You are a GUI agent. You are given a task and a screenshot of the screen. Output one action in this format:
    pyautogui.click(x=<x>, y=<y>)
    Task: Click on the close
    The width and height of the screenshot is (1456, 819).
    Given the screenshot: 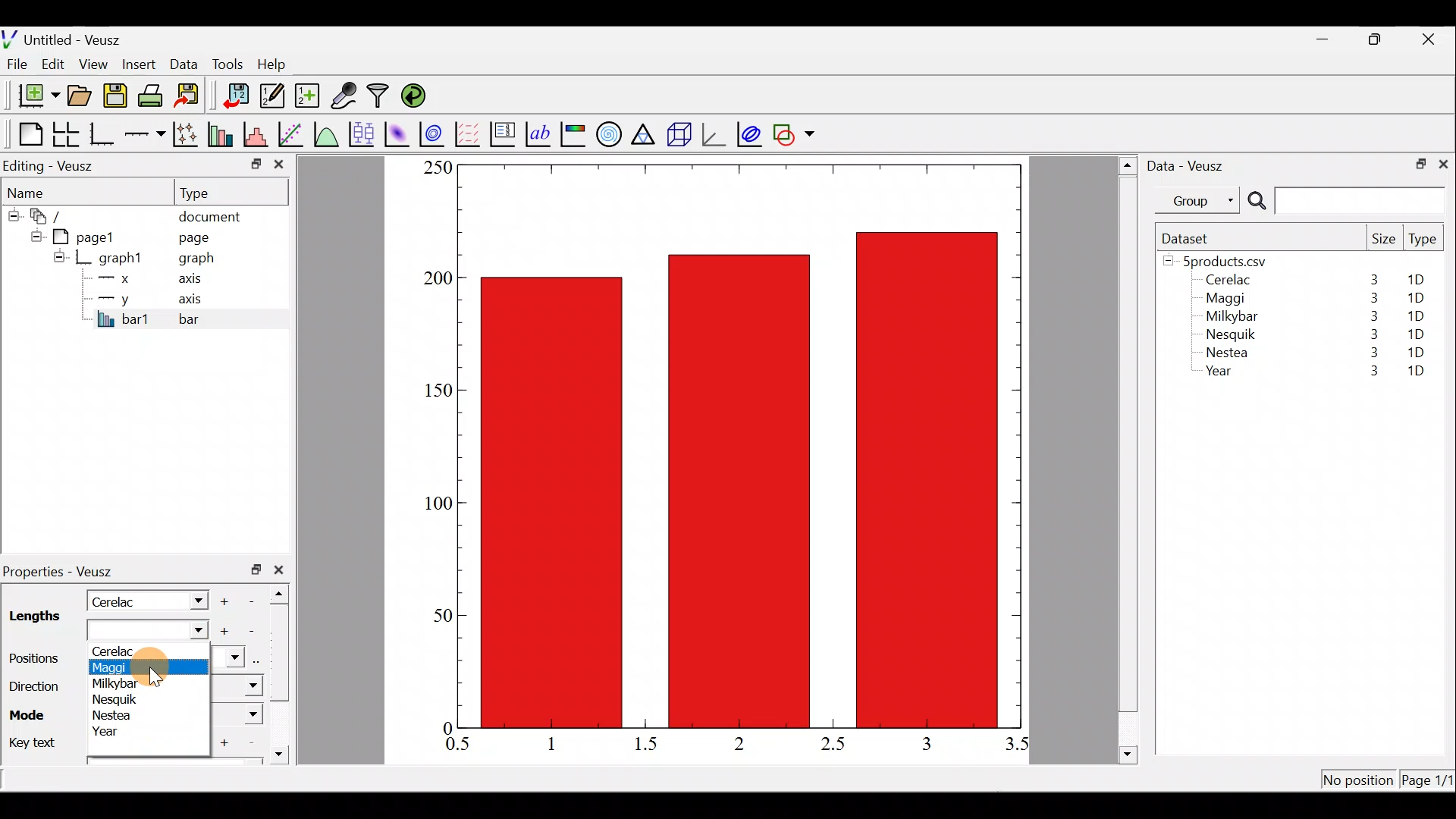 What is the action you would take?
    pyautogui.click(x=1430, y=39)
    